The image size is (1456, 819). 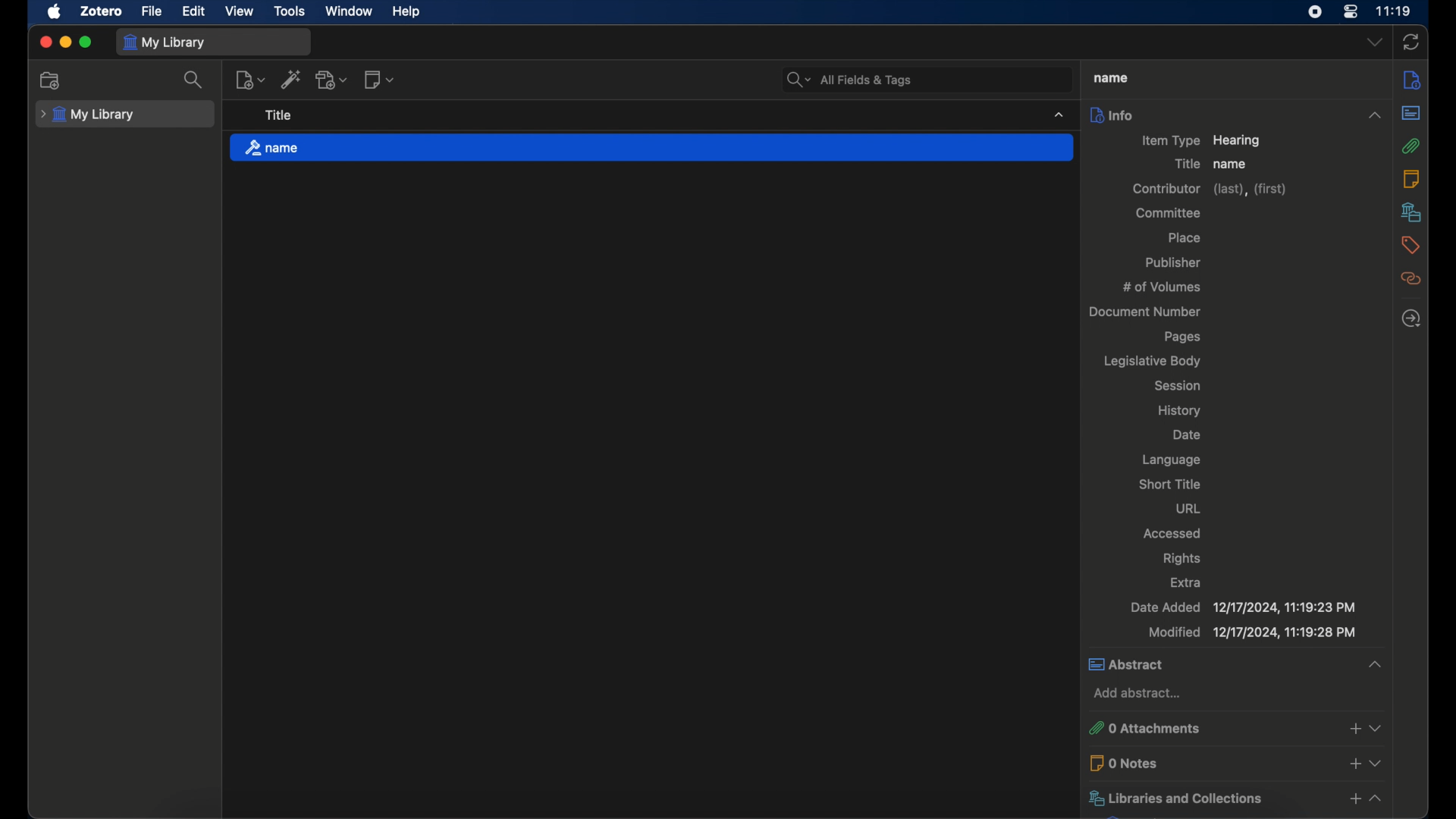 What do you see at coordinates (1172, 460) in the screenshot?
I see `language` at bounding box center [1172, 460].